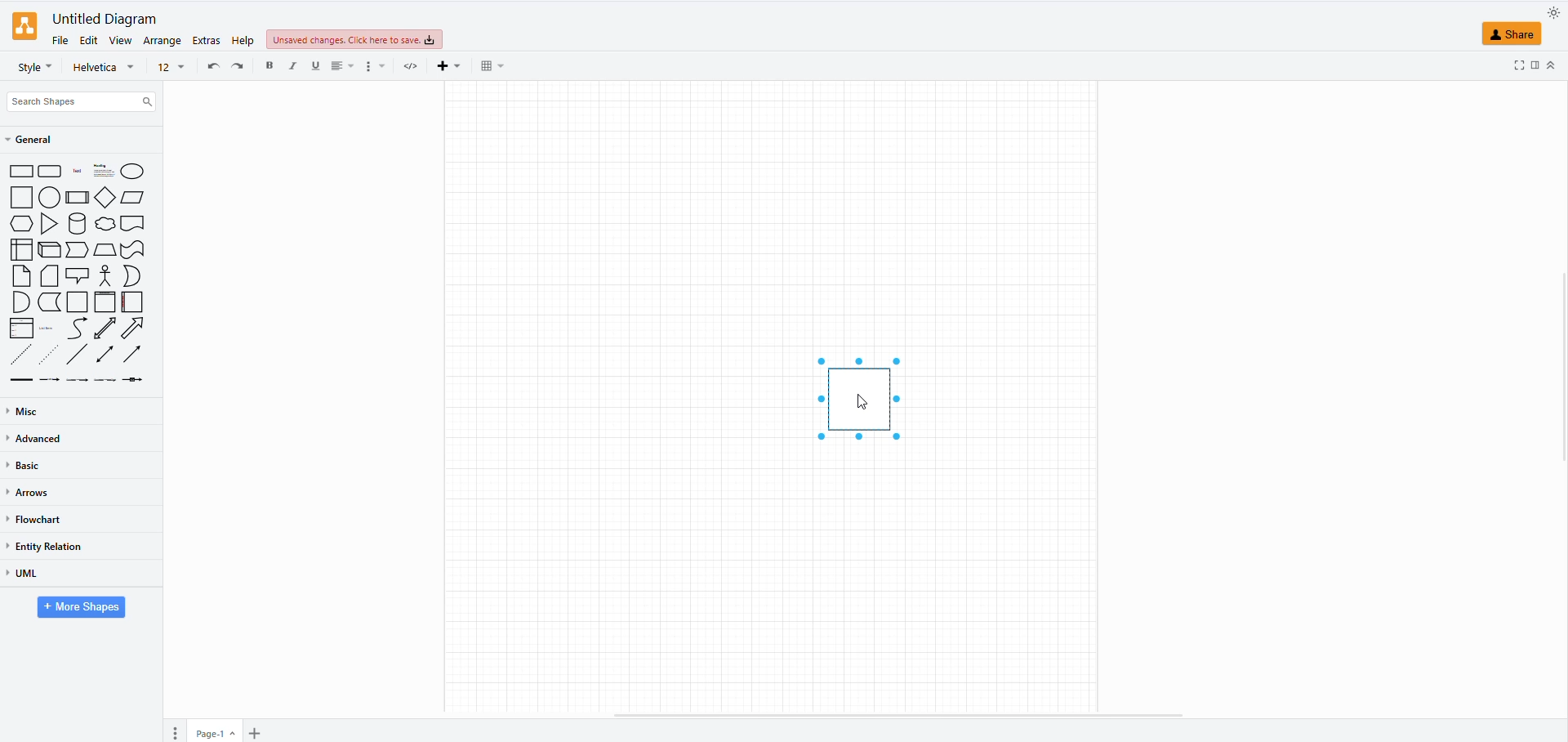 The width and height of the screenshot is (1568, 742). What do you see at coordinates (178, 731) in the screenshot?
I see `pages` at bounding box center [178, 731].